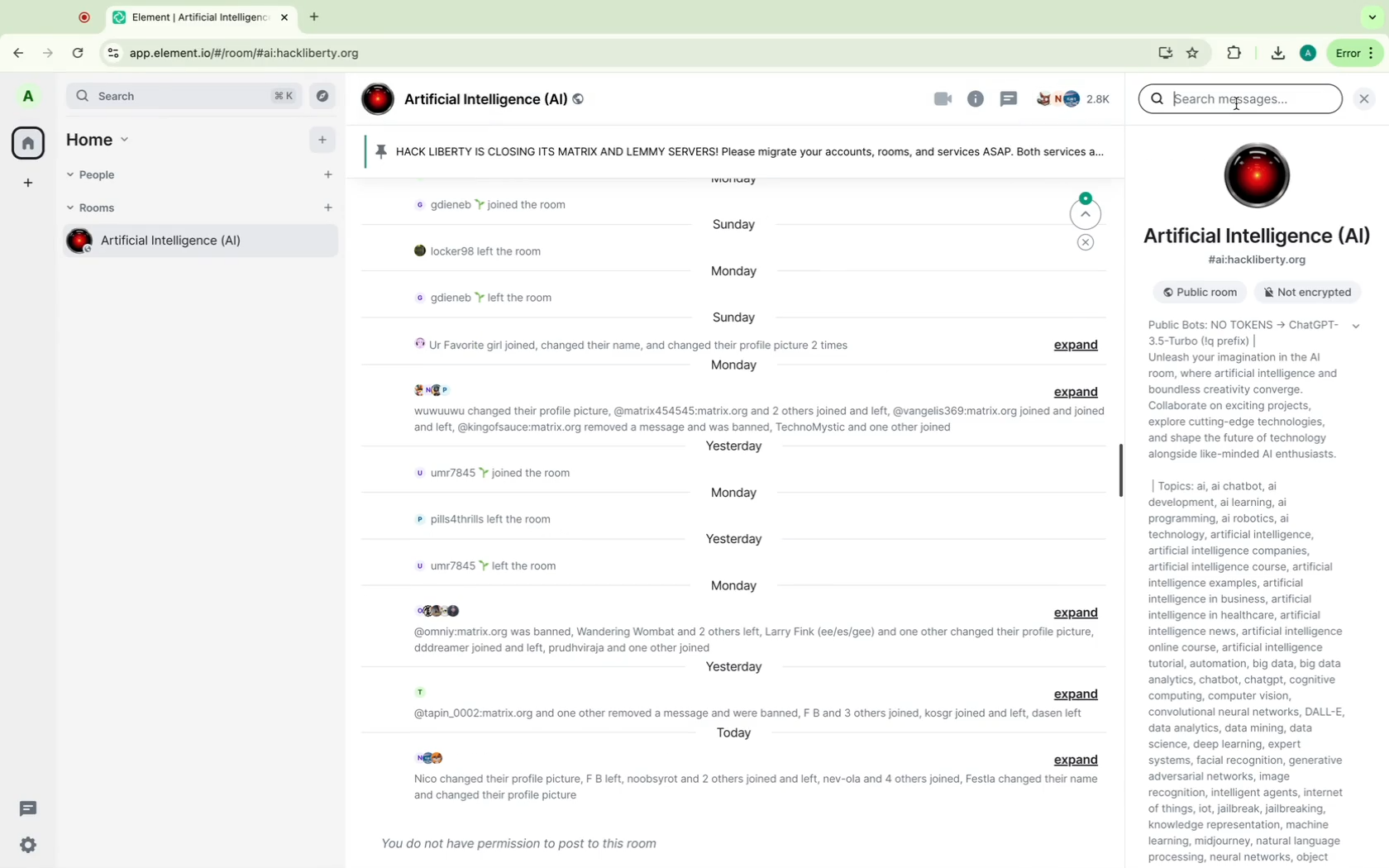 This screenshot has width=1389, height=868. I want to click on new tab, so click(313, 18).